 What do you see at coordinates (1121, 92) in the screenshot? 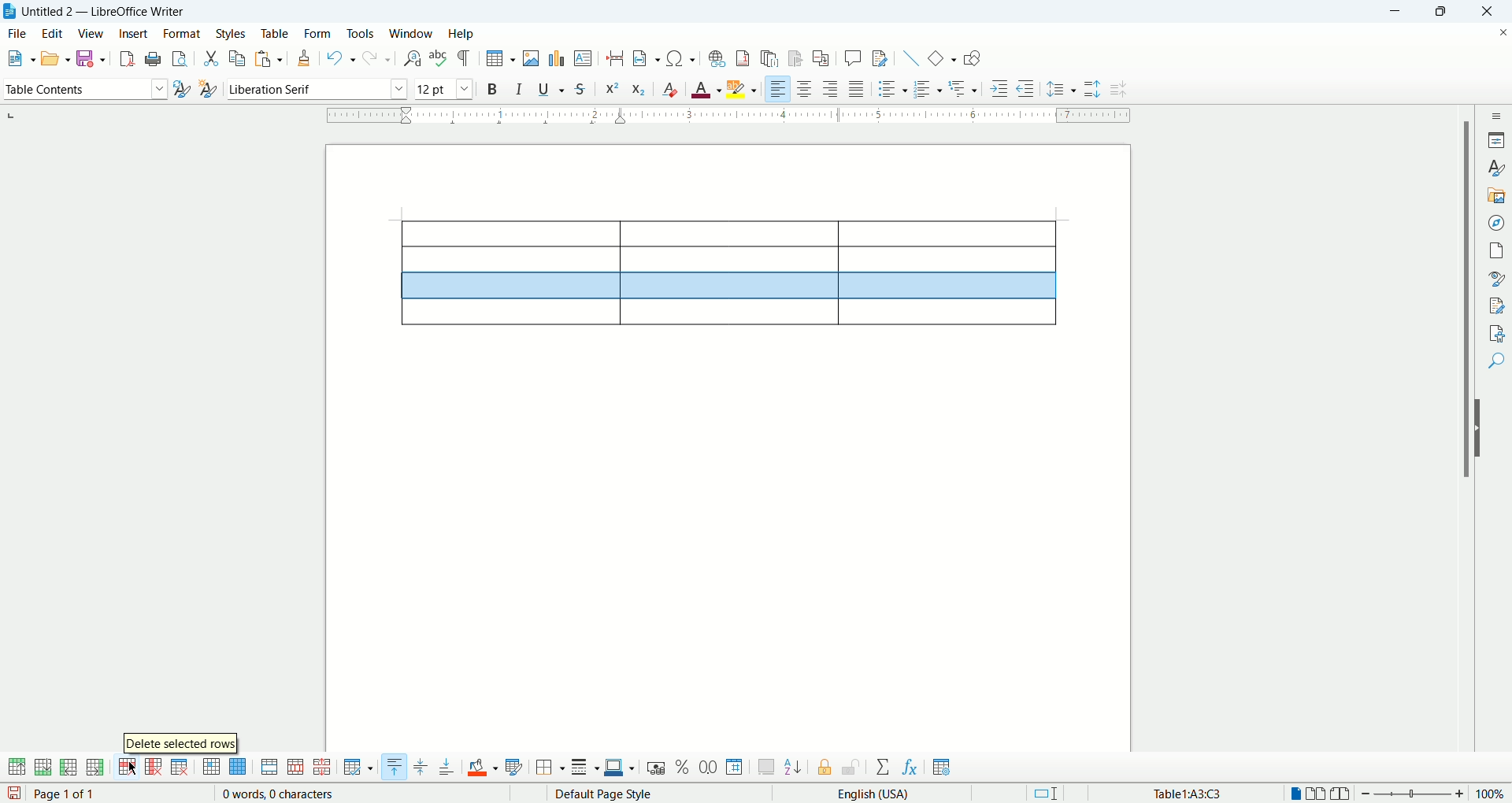
I see `decrease line spacing` at bounding box center [1121, 92].